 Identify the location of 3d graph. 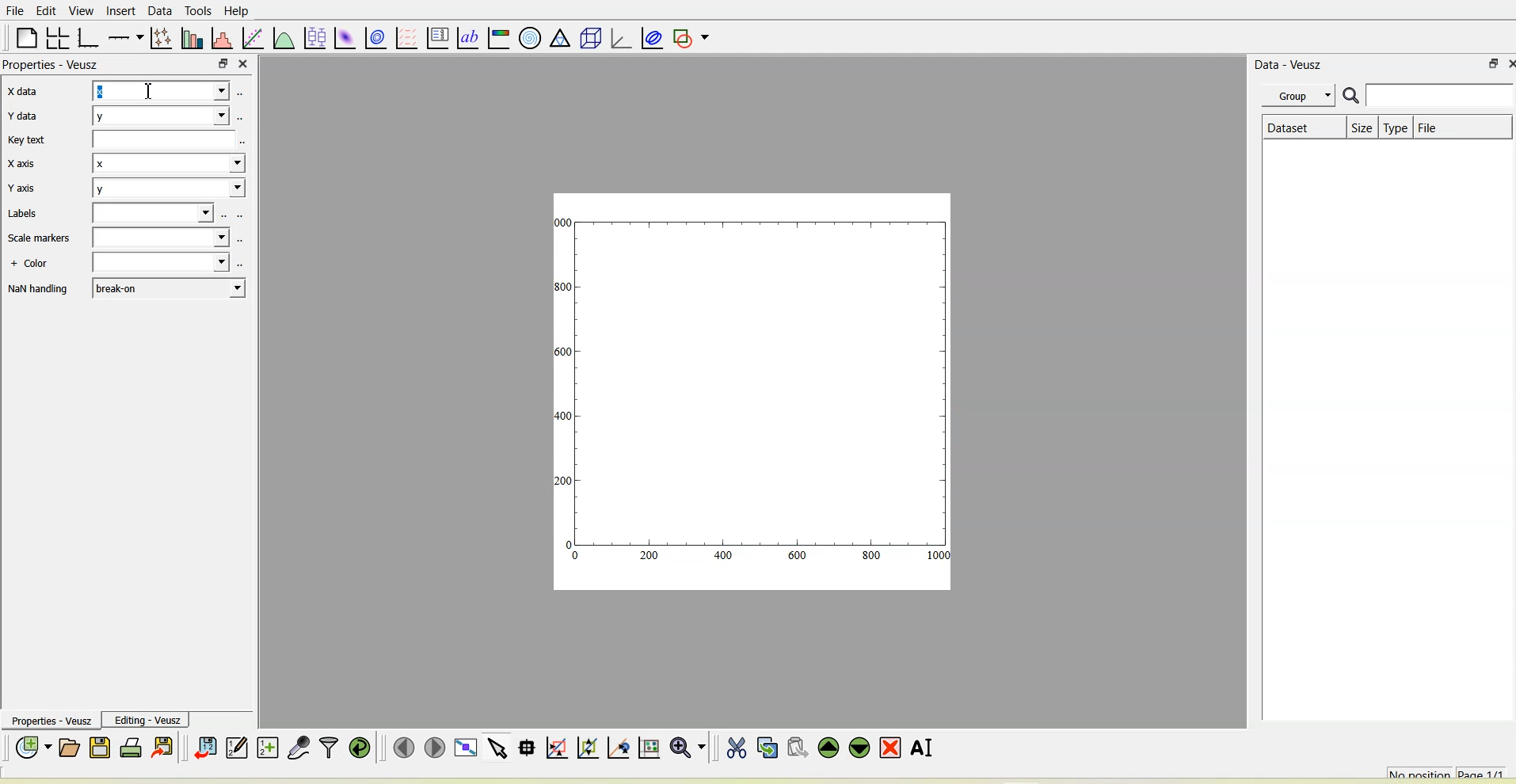
(619, 36).